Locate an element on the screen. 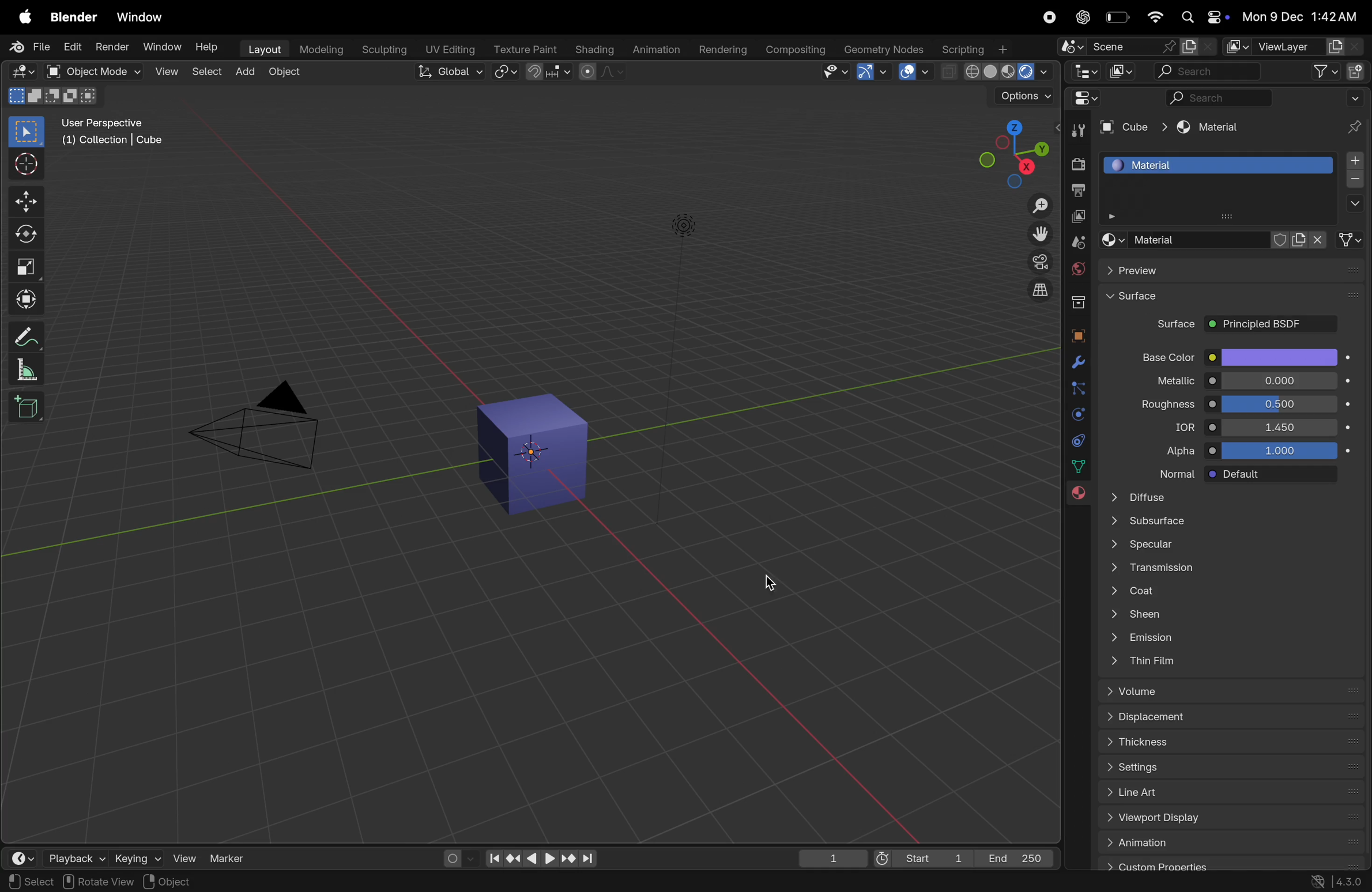 The width and height of the screenshot is (1372, 892). unlink data is located at coordinates (1322, 240).